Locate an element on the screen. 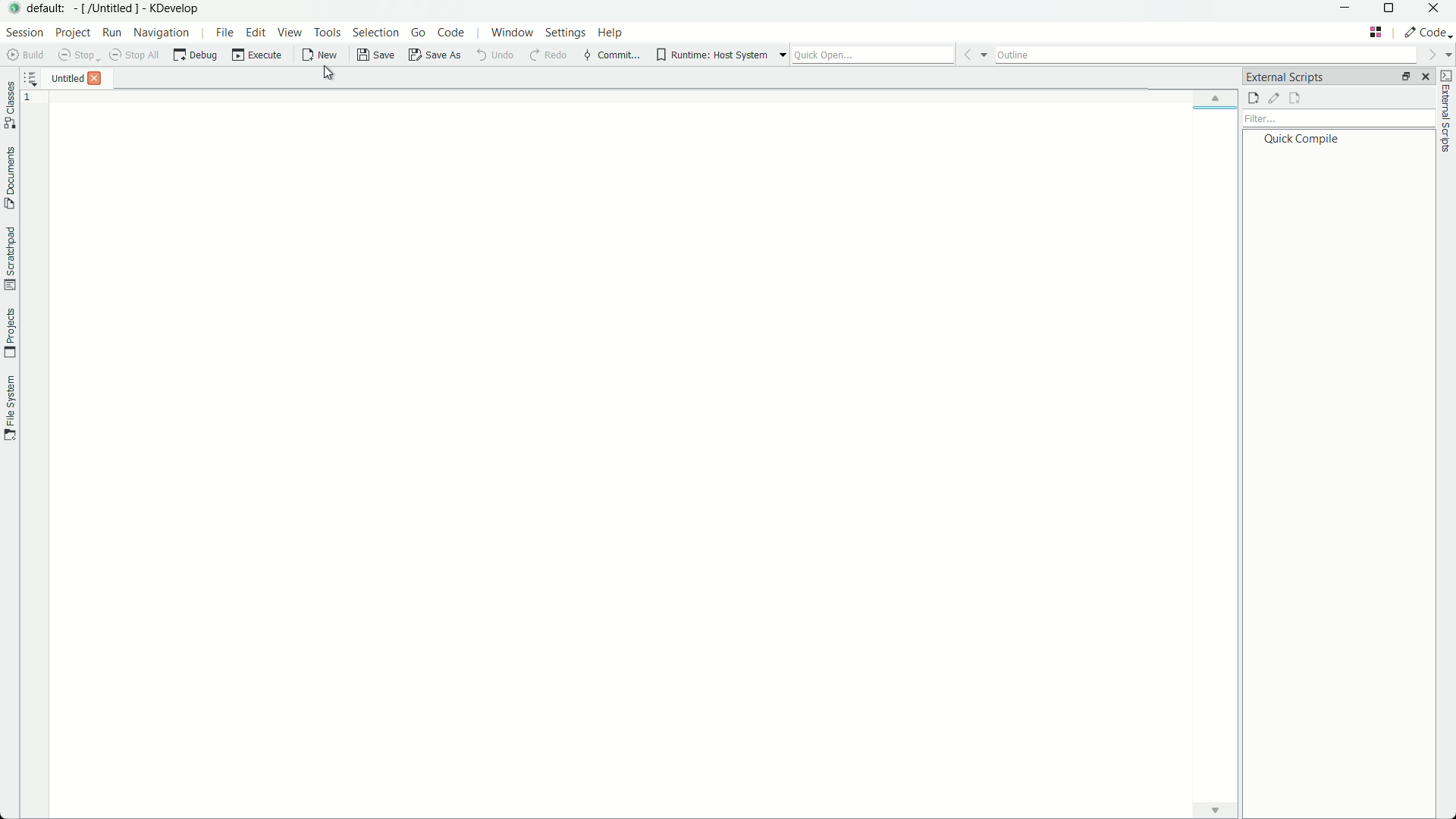 The height and width of the screenshot is (819, 1456). outline bar is located at coordinates (1222, 55).